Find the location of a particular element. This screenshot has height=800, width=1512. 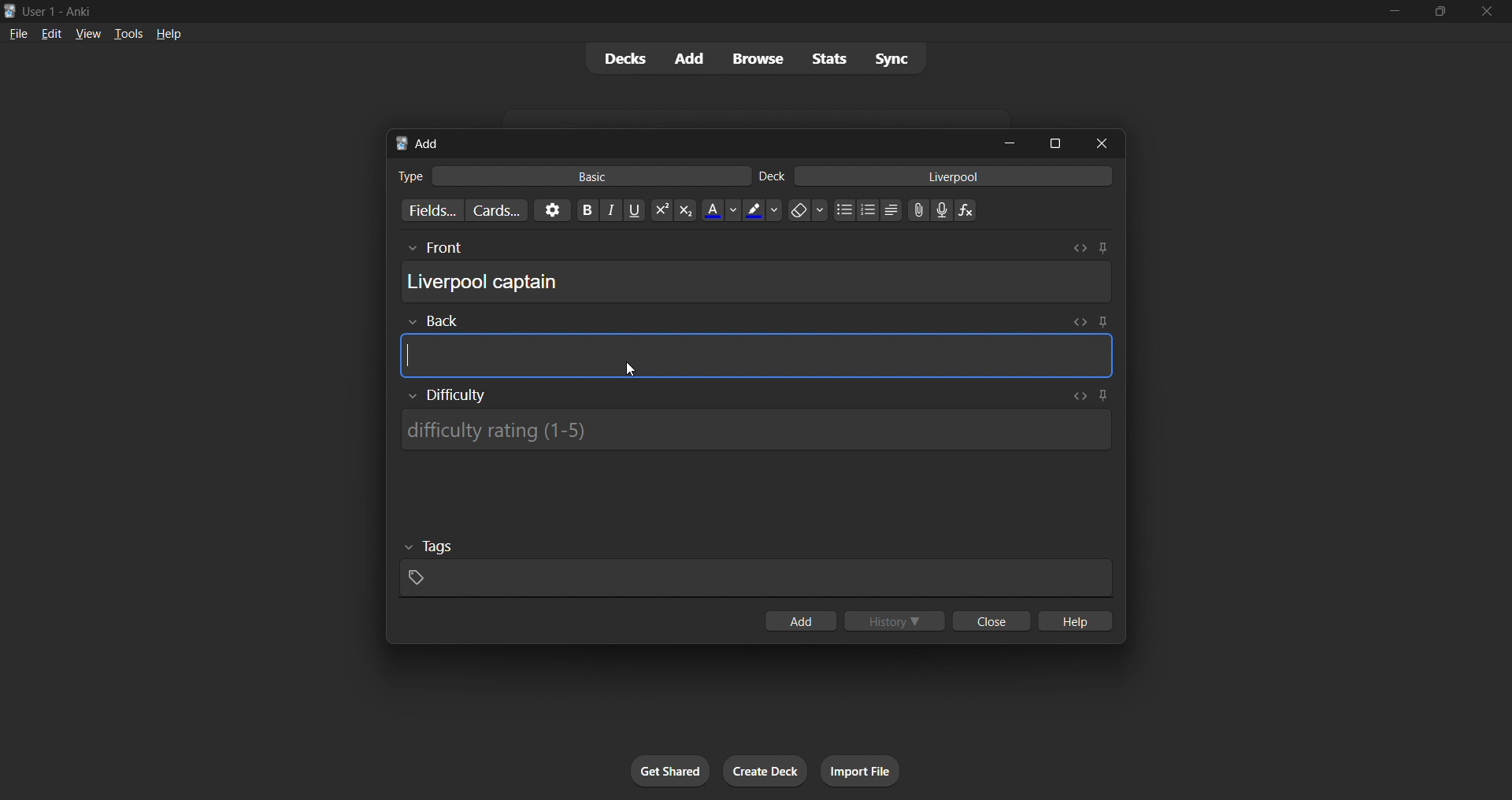

Superscript is located at coordinates (661, 210).